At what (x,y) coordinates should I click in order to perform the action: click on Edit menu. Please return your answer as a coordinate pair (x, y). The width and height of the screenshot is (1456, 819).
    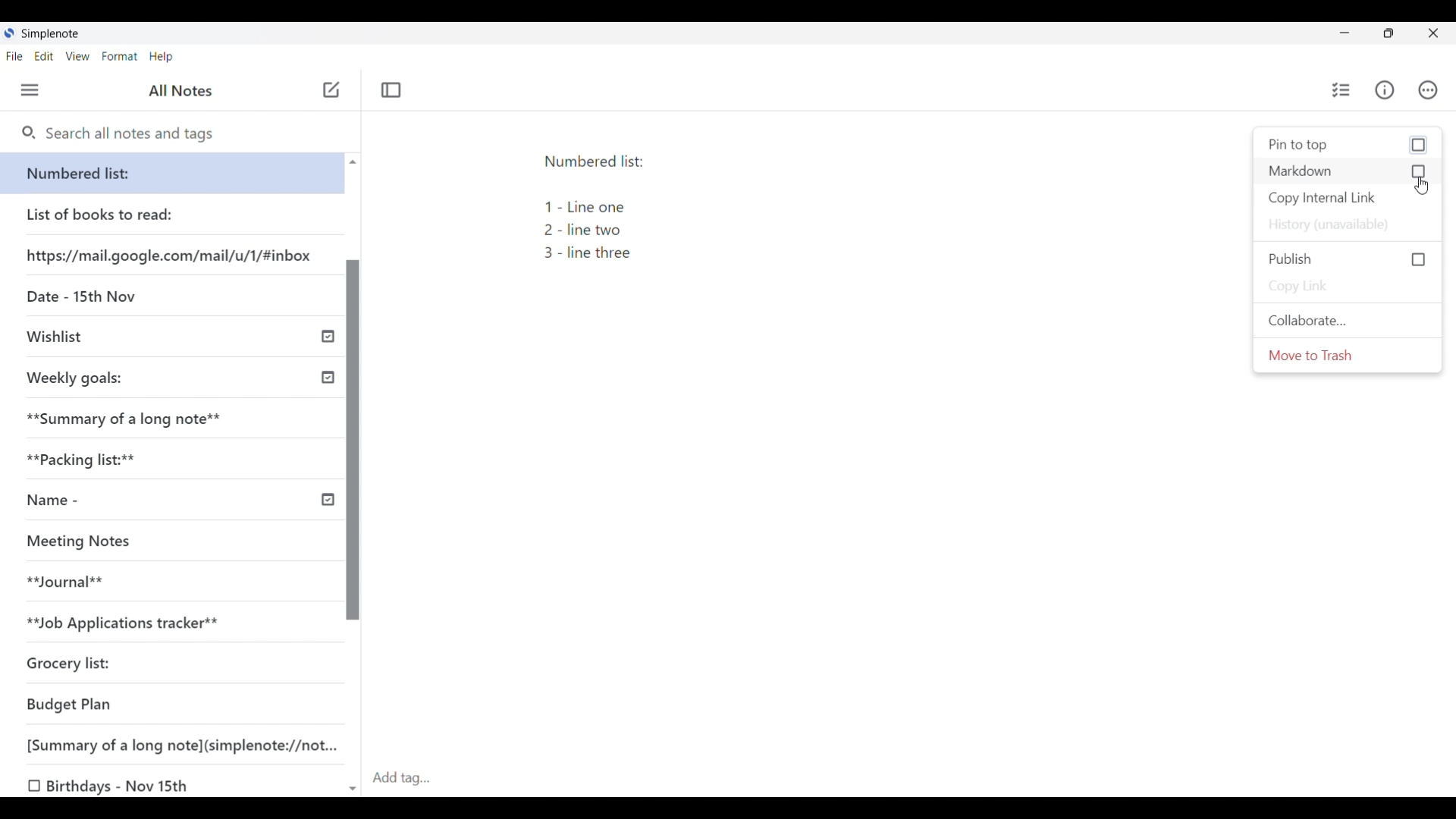
    Looking at the image, I should click on (44, 56).